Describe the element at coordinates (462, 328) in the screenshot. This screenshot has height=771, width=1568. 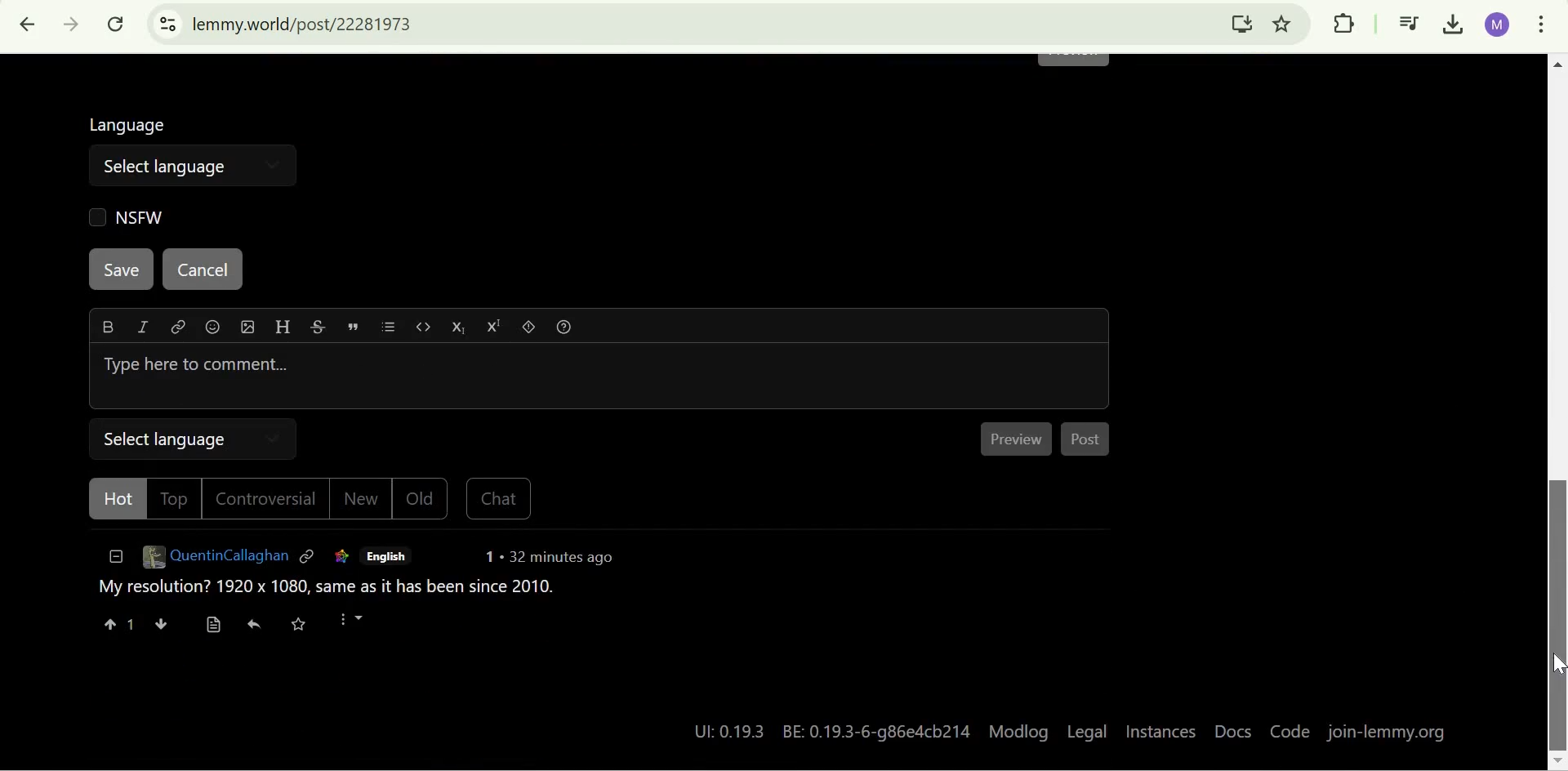
I see `subscript` at that location.